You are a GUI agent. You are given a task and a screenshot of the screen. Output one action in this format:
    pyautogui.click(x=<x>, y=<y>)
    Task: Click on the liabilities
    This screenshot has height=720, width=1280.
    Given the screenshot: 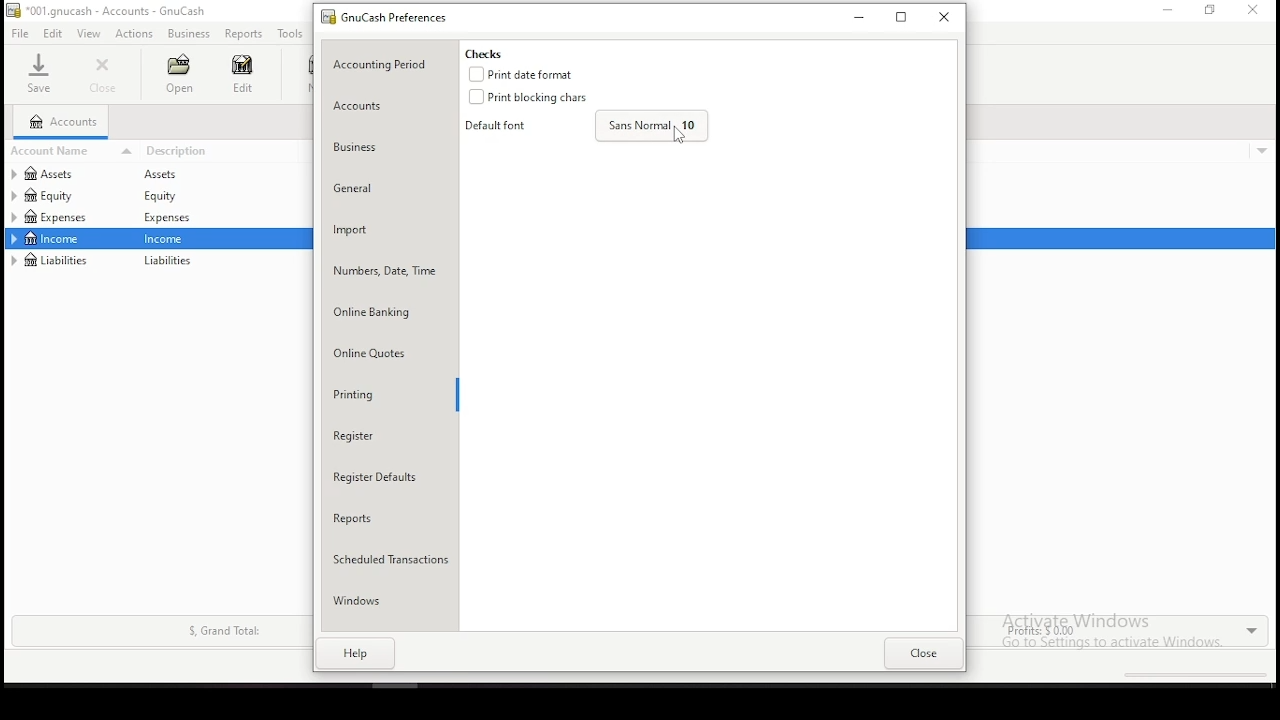 What is the action you would take?
    pyautogui.click(x=52, y=260)
    